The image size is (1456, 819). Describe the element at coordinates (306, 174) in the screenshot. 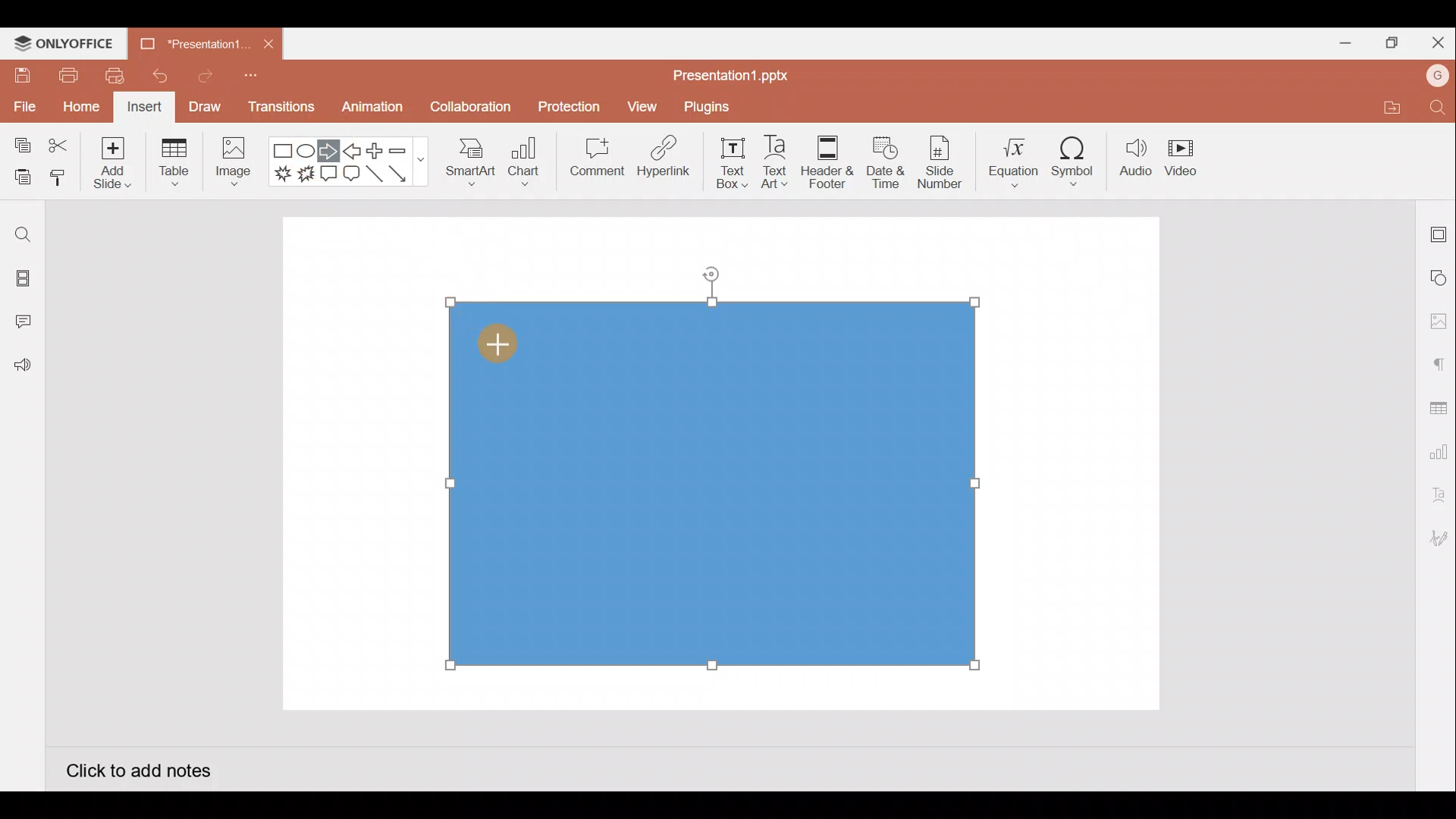

I see `Explosion 2` at that location.